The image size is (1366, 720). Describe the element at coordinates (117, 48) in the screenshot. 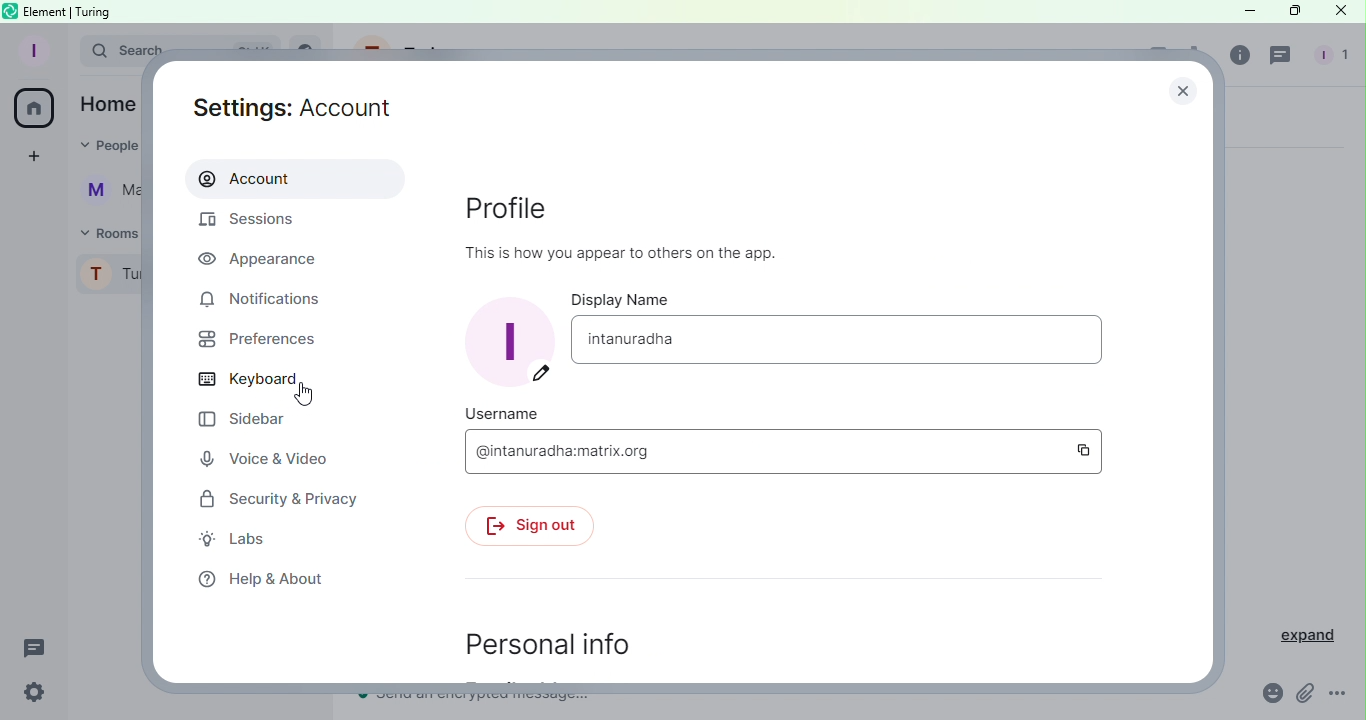

I see `Search bar` at that location.